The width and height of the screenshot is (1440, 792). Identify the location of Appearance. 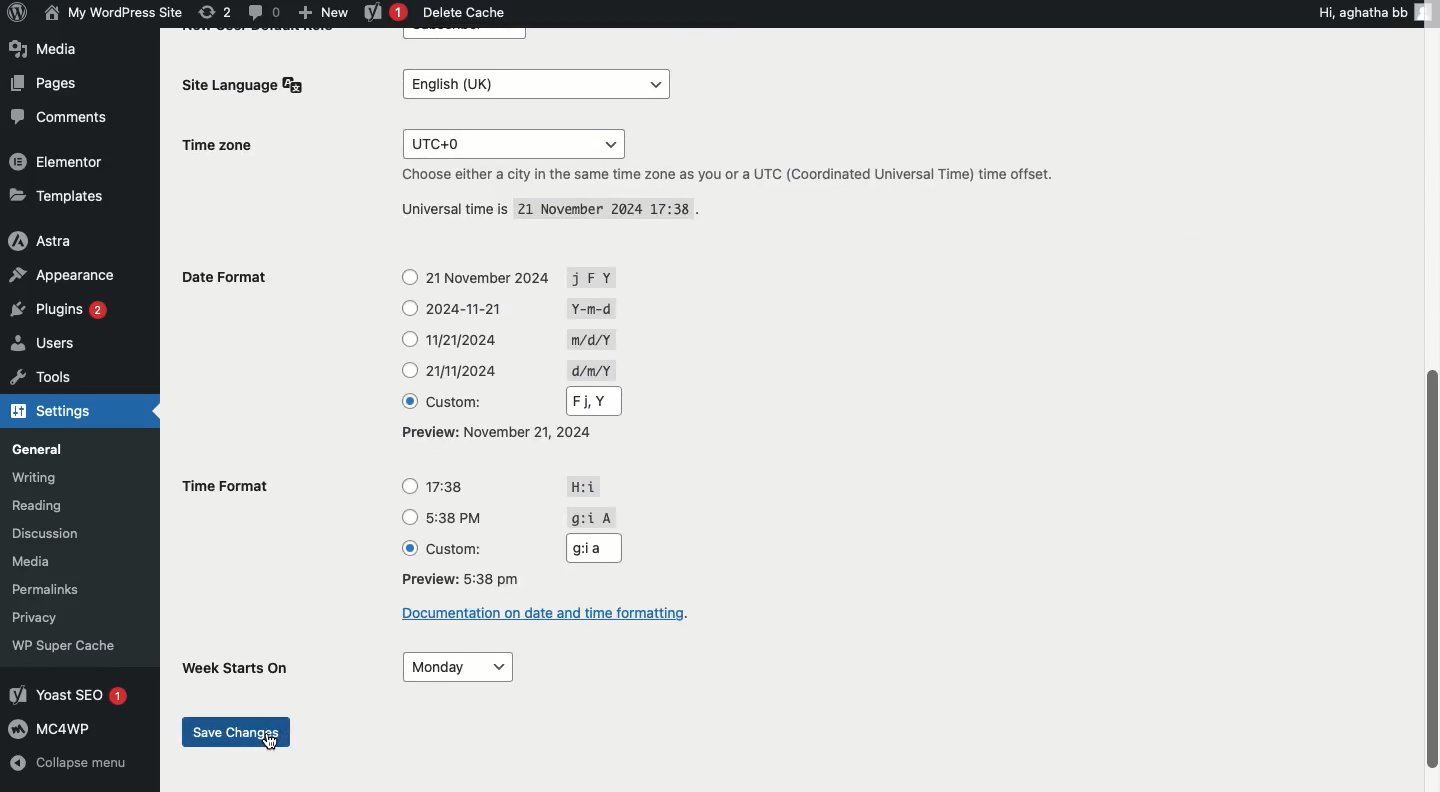
(64, 275).